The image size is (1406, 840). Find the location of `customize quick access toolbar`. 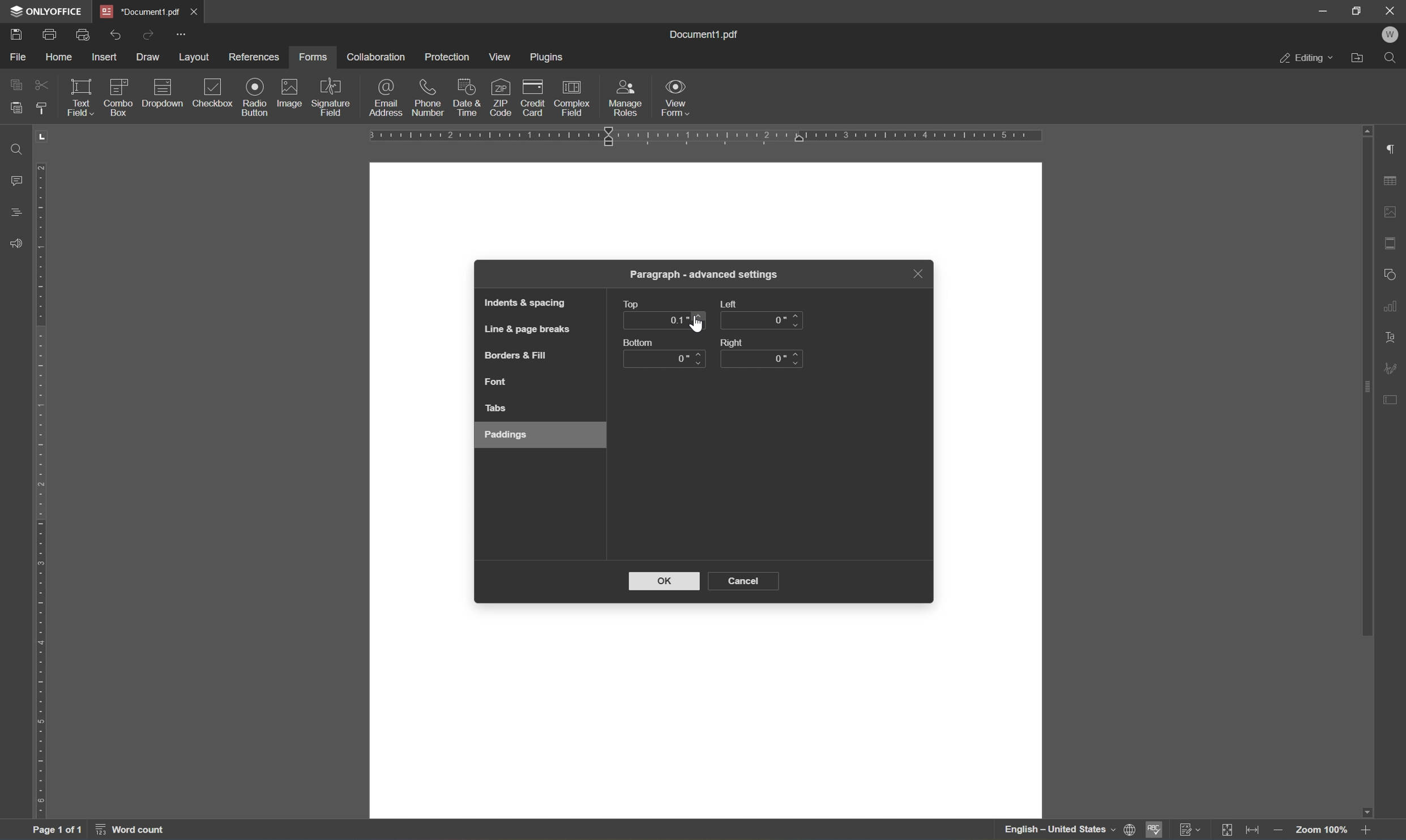

customize quick access toolbar is located at coordinates (183, 33).